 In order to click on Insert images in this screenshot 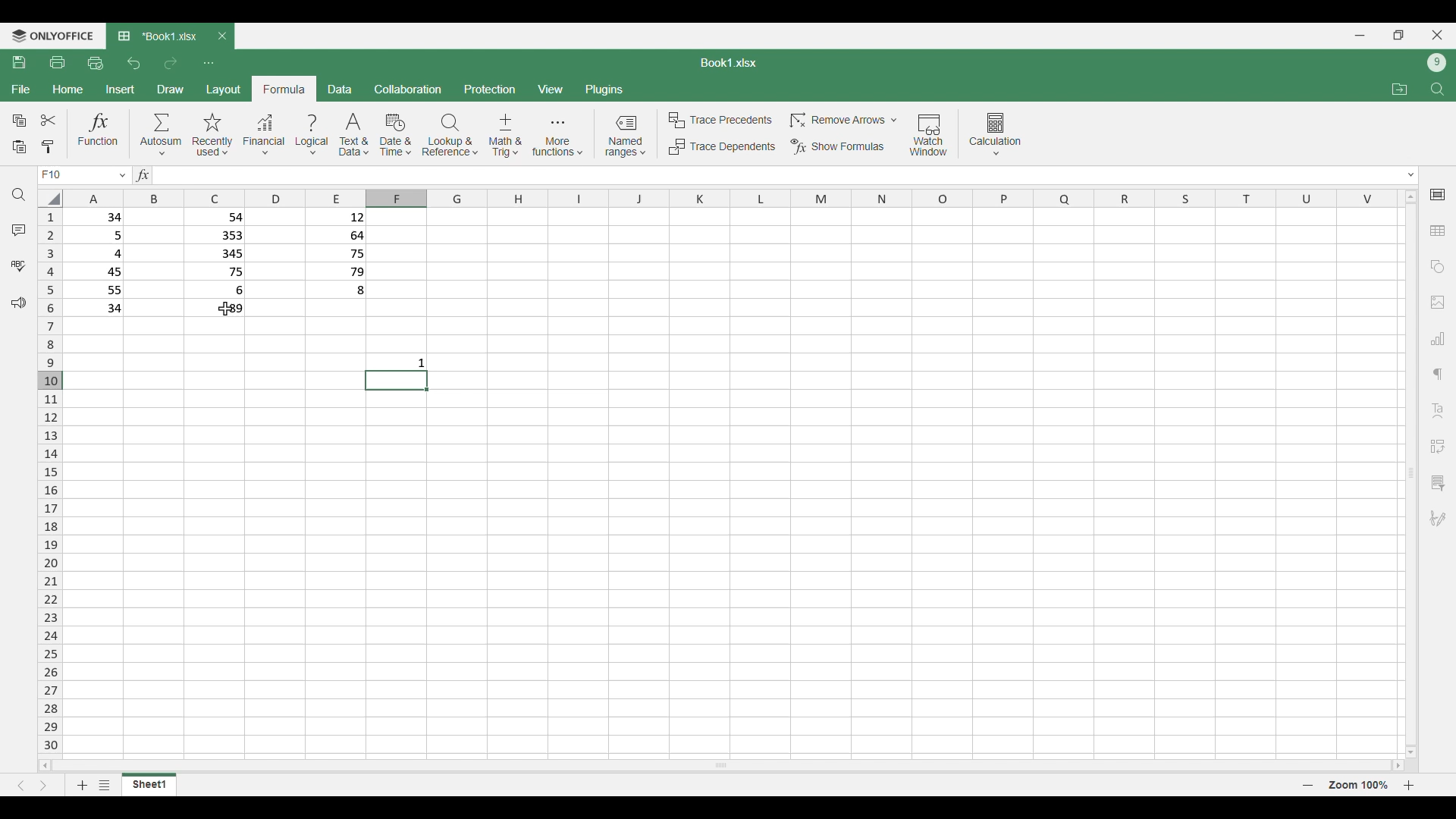, I will do `click(1438, 303)`.